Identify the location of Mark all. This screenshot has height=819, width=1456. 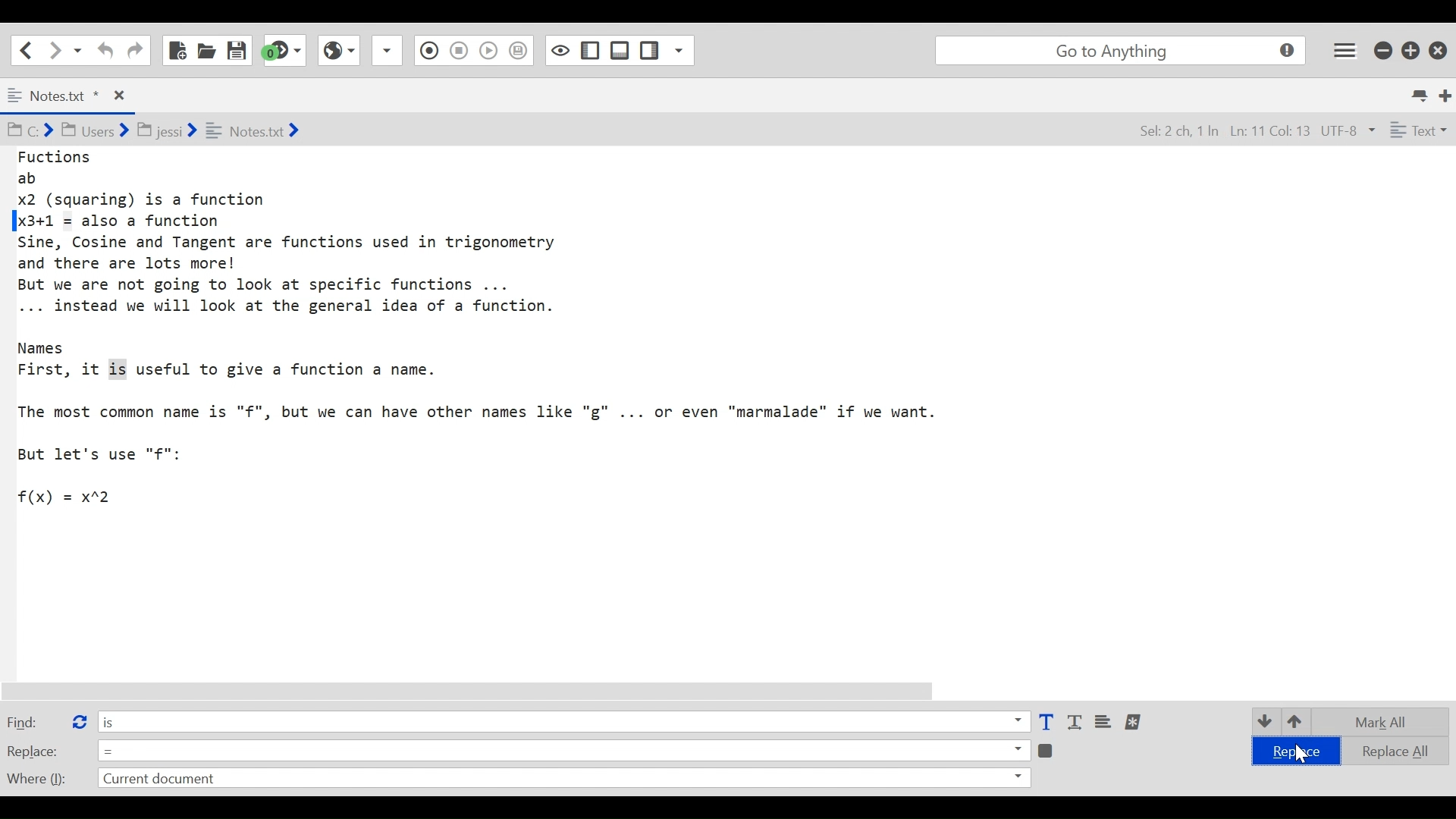
(1386, 722).